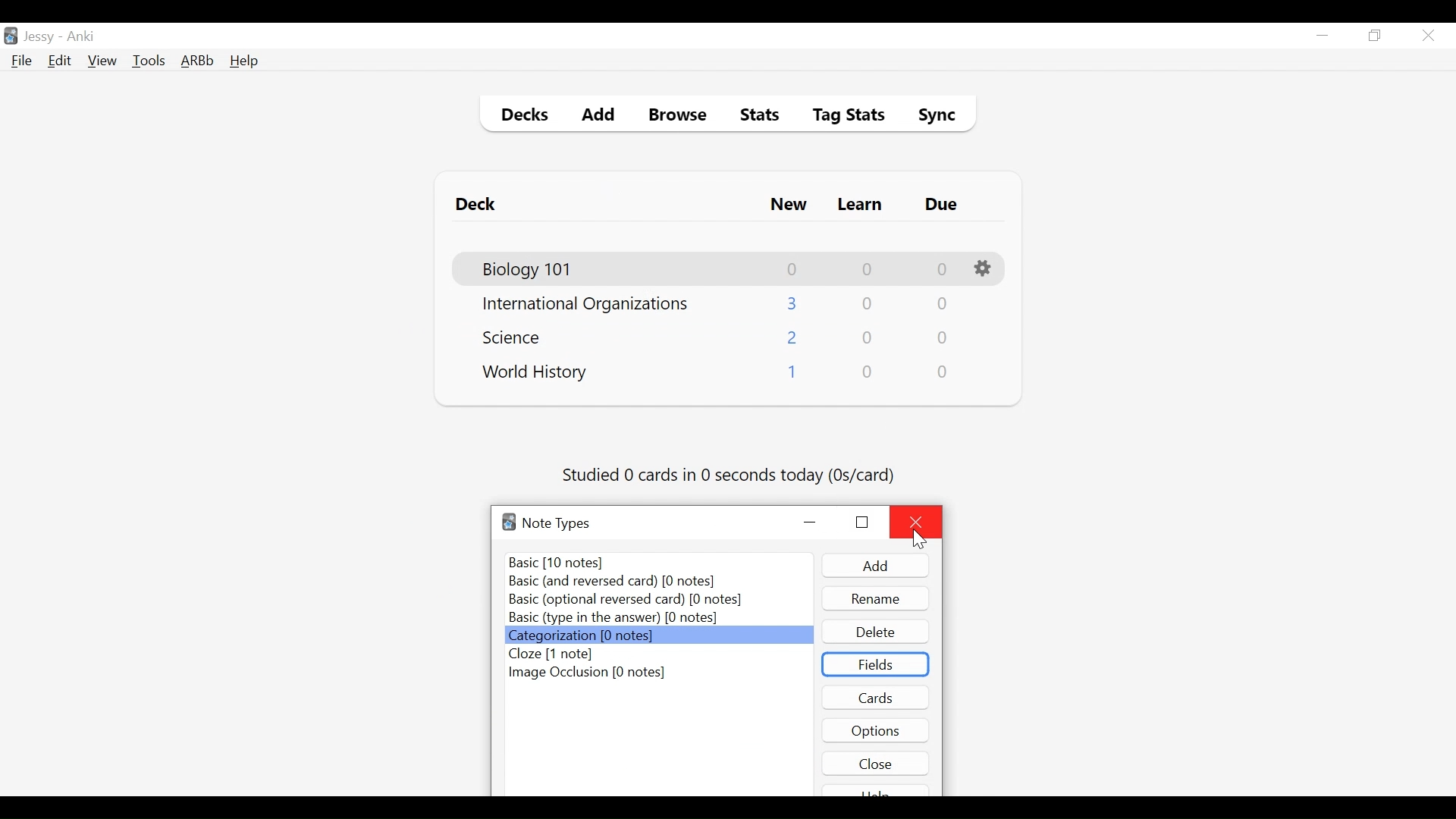  I want to click on Restore, so click(862, 521).